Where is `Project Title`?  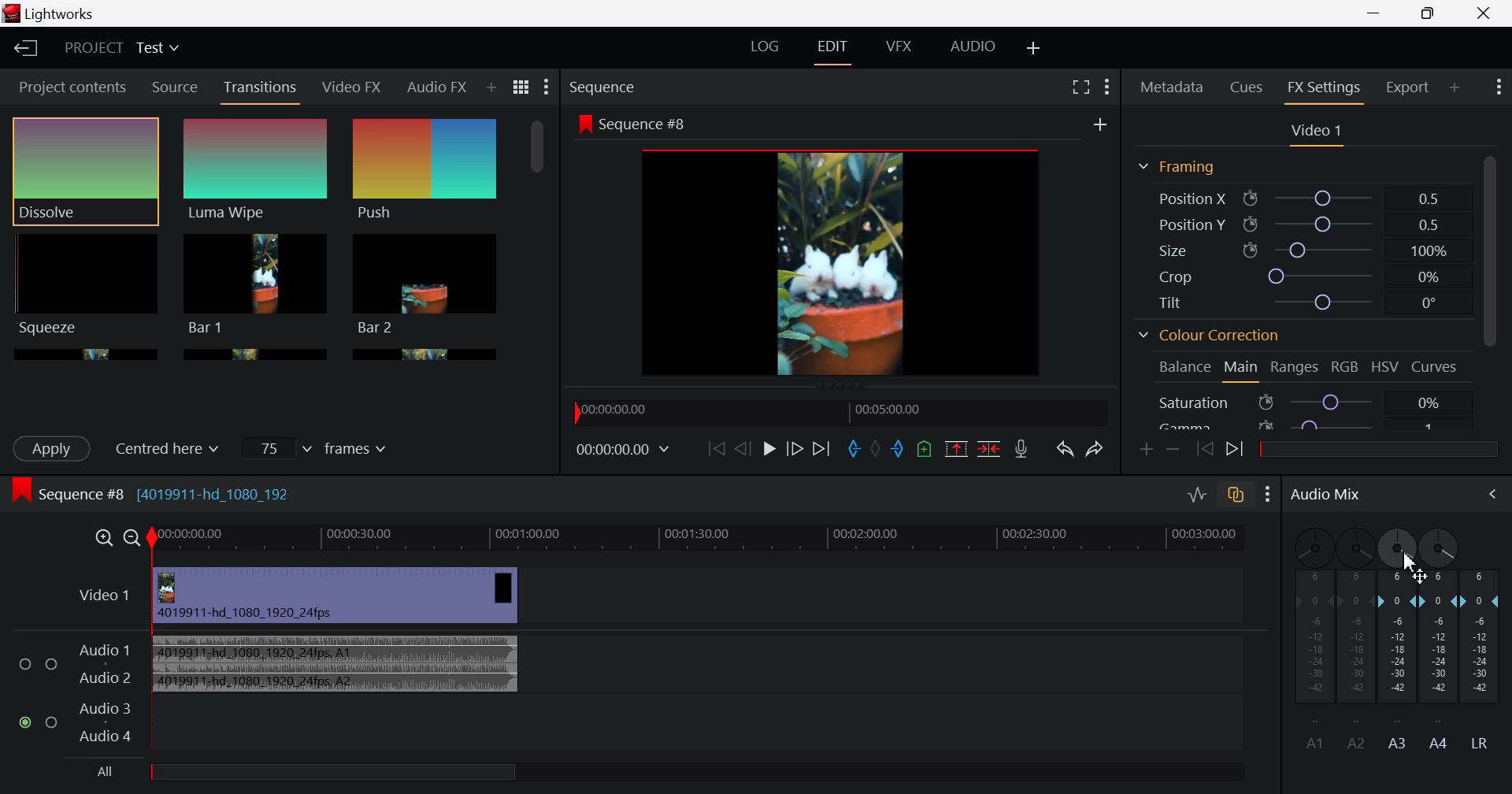
Project Title is located at coordinates (124, 48).